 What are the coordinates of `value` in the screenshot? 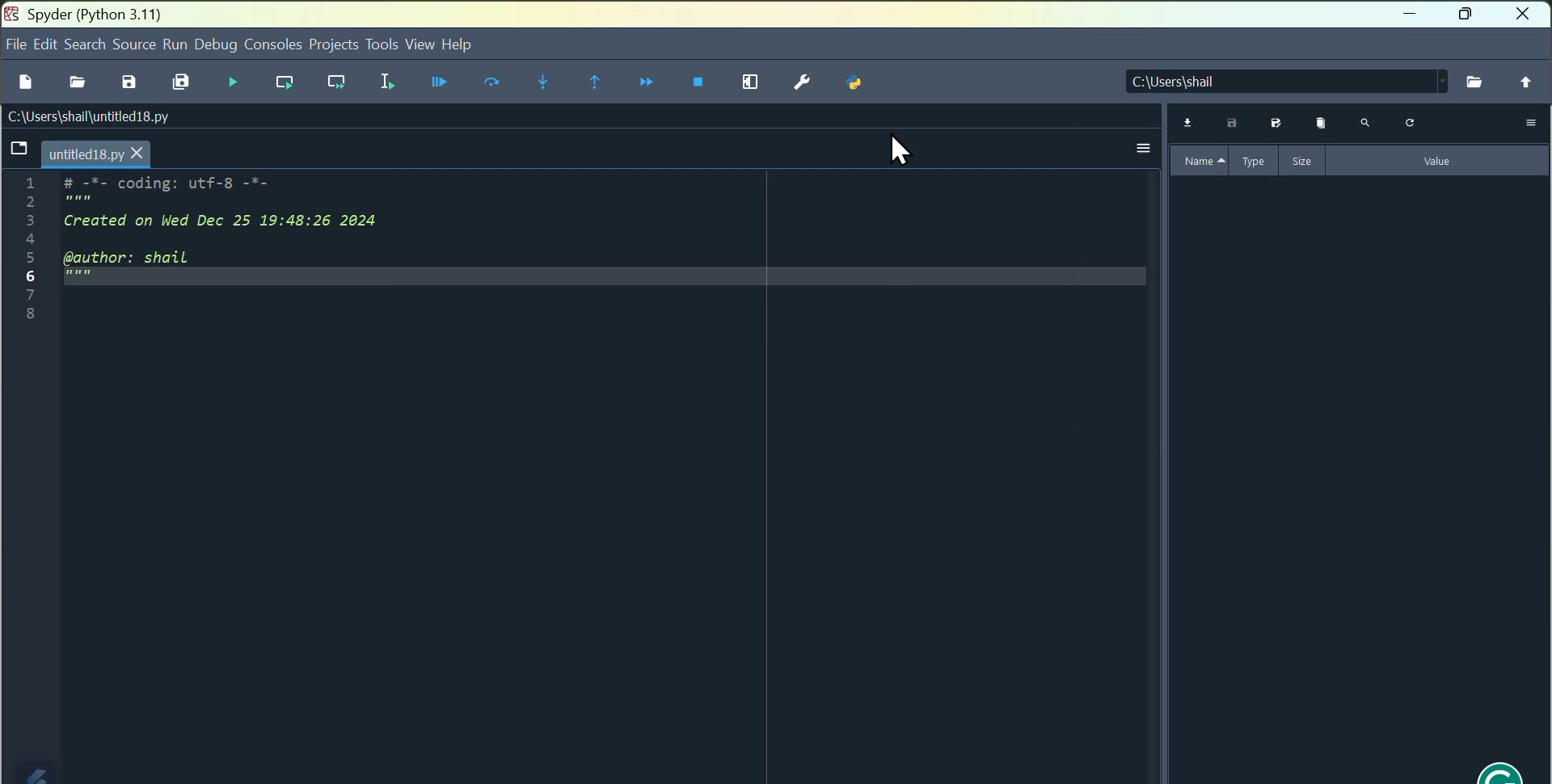 It's located at (1439, 160).